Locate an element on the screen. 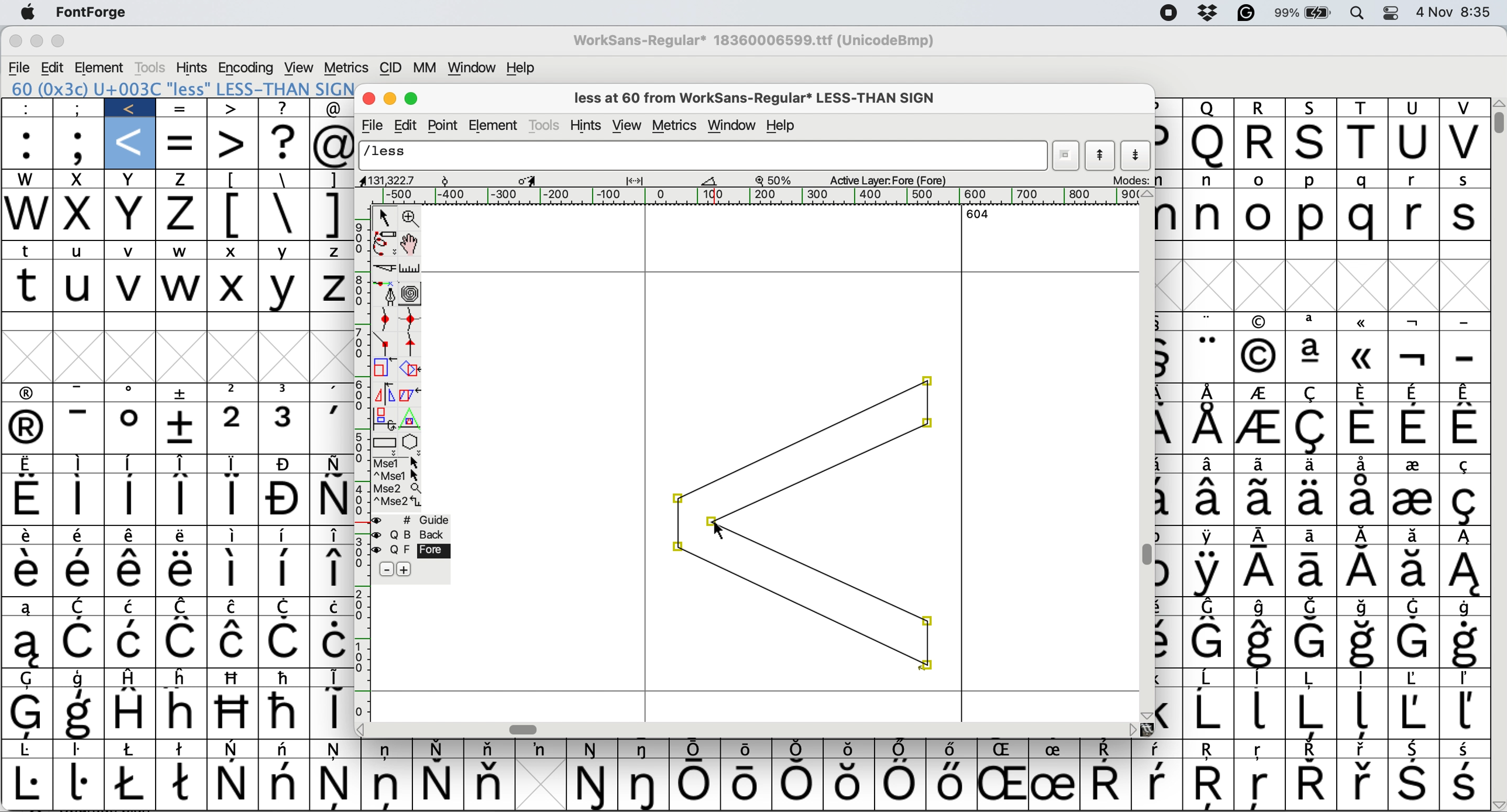 Image resolution: width=1507 pixels, height=812 pixels. Symbol is located at coordinates (133, 678).